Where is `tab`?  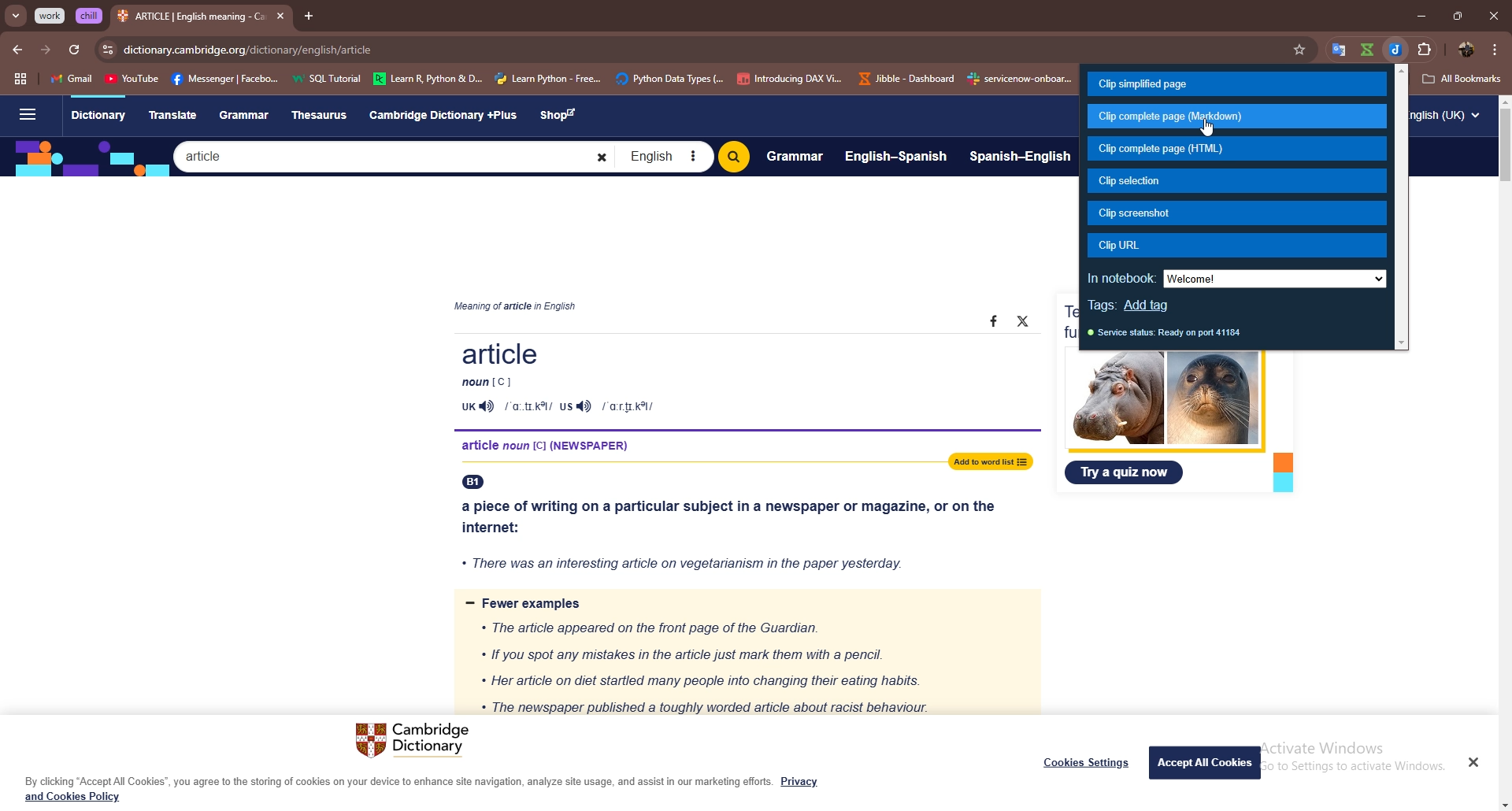 tab is located at coordinates (191, 18).